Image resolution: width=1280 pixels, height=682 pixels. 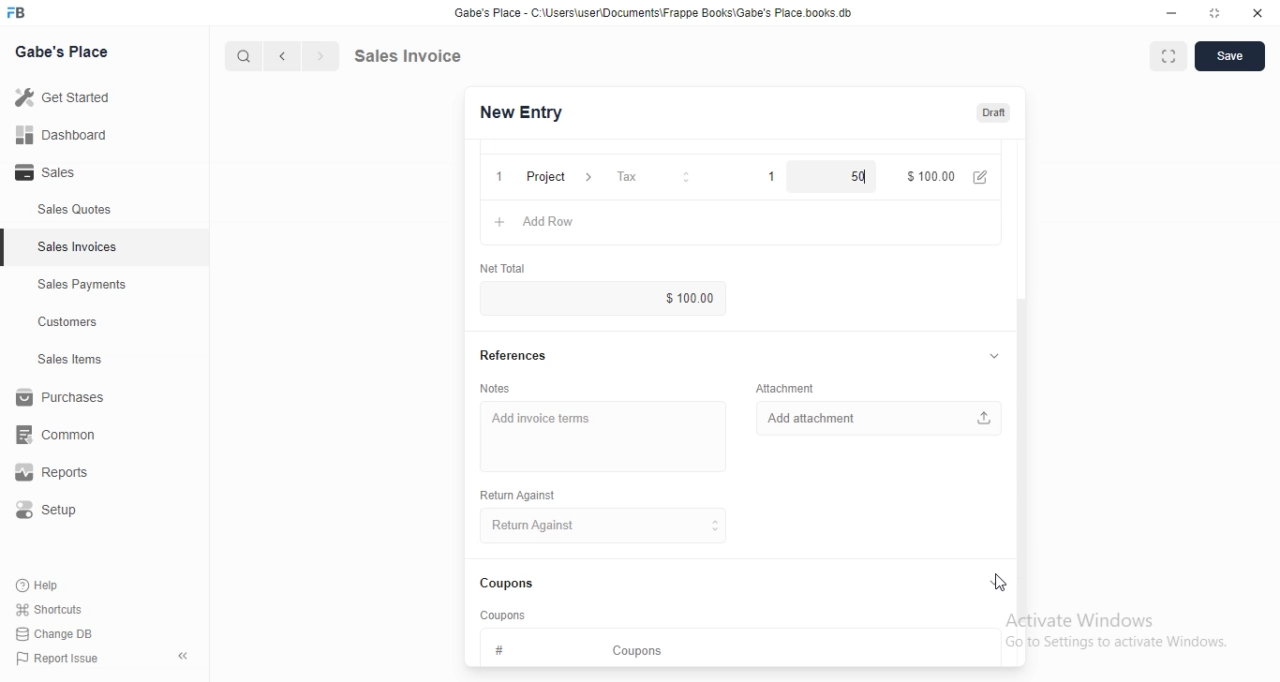 What do you see at coordinates (983, 177) in the screenshot?
I see `edit` at bounding box center [983, 177].